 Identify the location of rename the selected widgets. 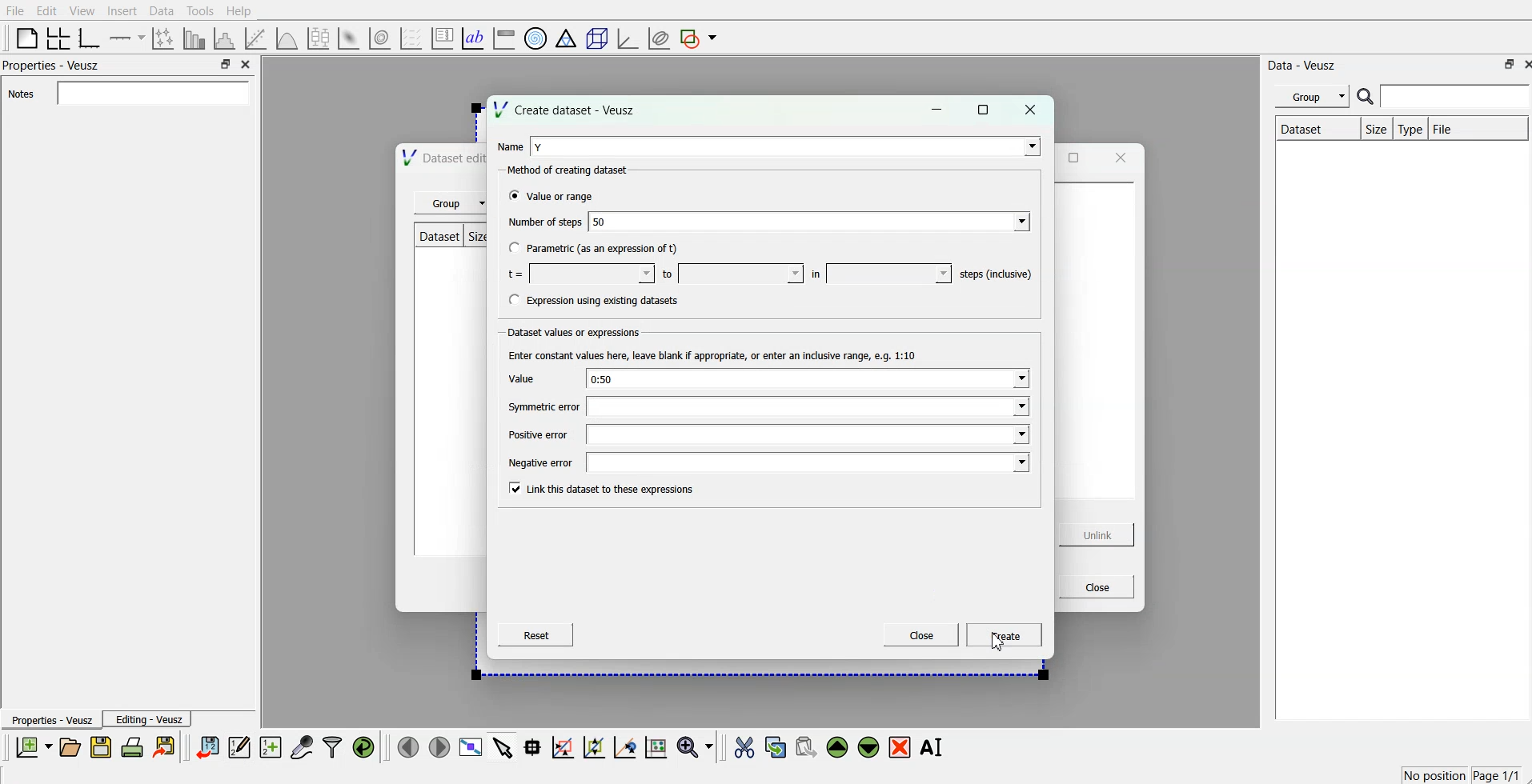
(932, 747).